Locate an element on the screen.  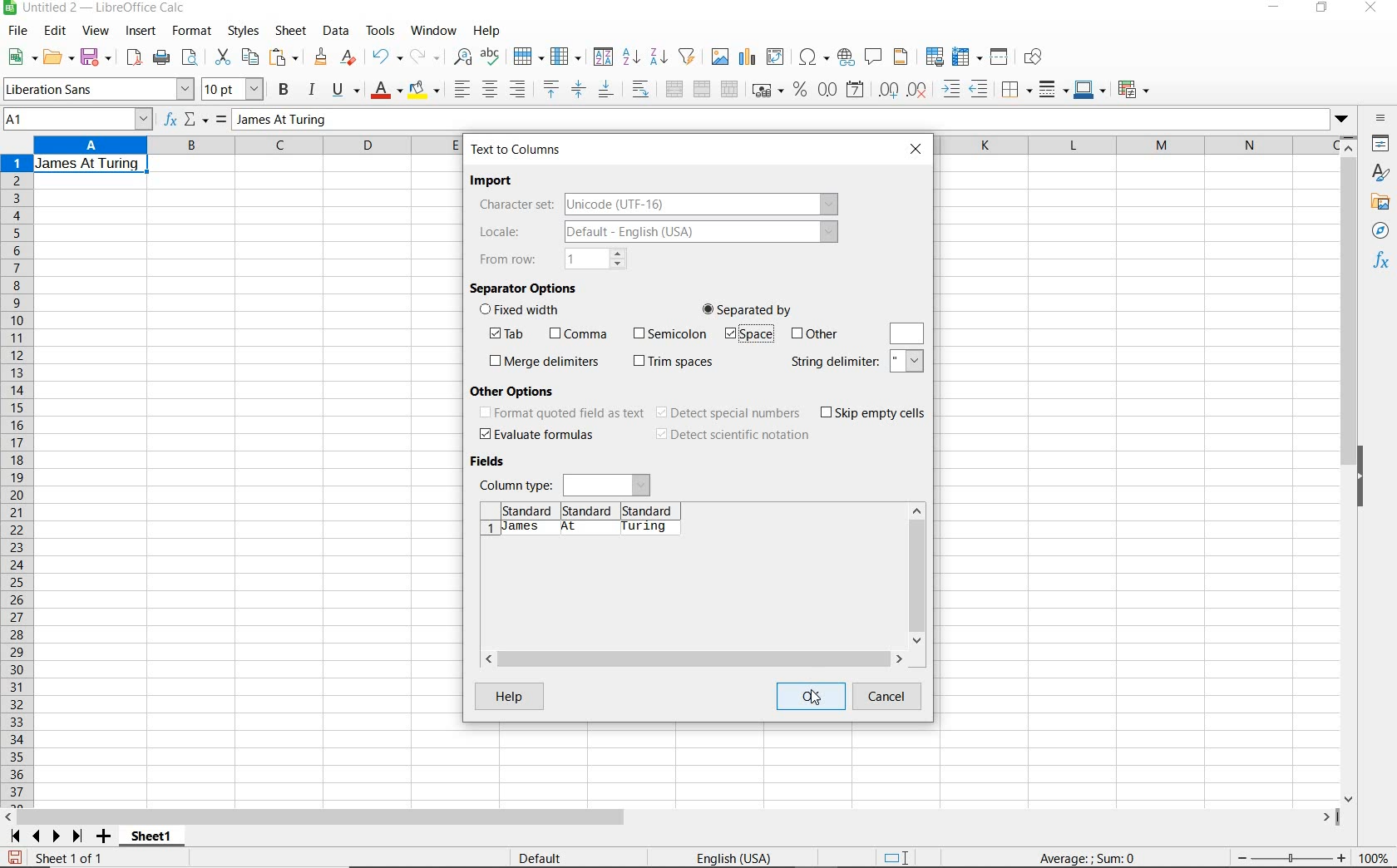
hide is located at coordinates (1365, 476).